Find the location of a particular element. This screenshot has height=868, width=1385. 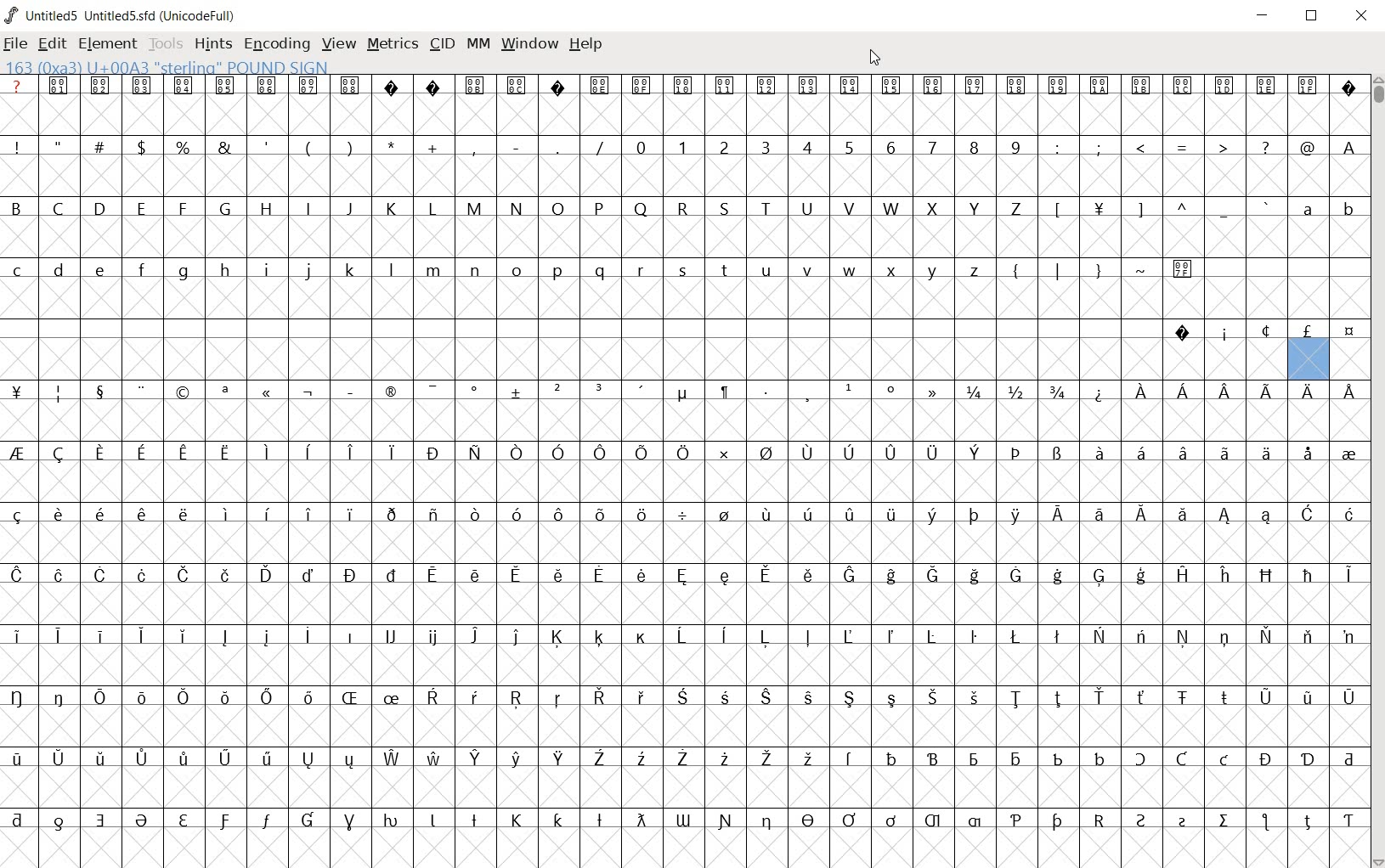

Symbol is located at coordinates (765, 514).